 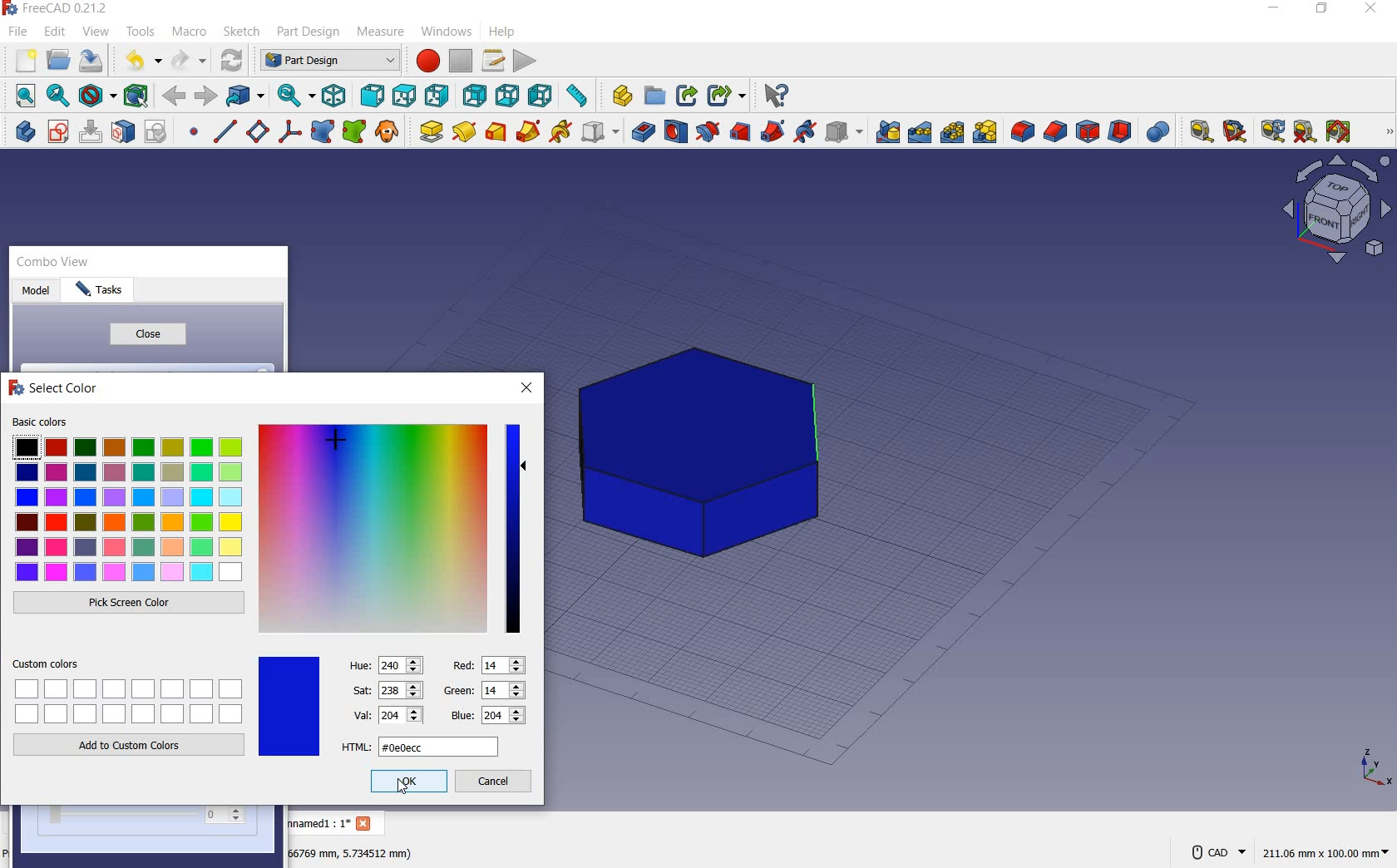 I want to click on RESTORE DOWN, so click(x=1323, y=11).